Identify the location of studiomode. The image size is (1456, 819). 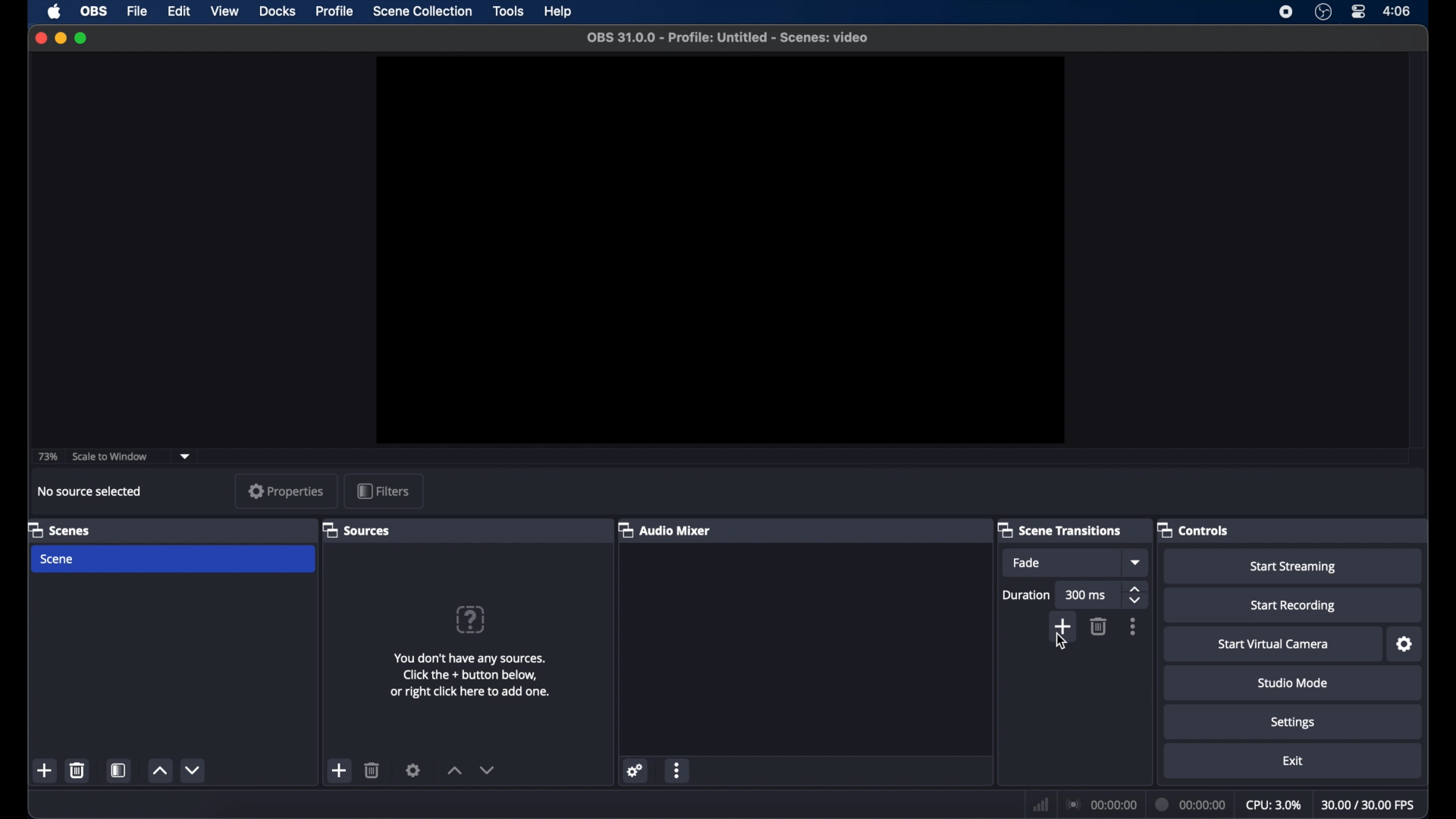
(1294, 684).